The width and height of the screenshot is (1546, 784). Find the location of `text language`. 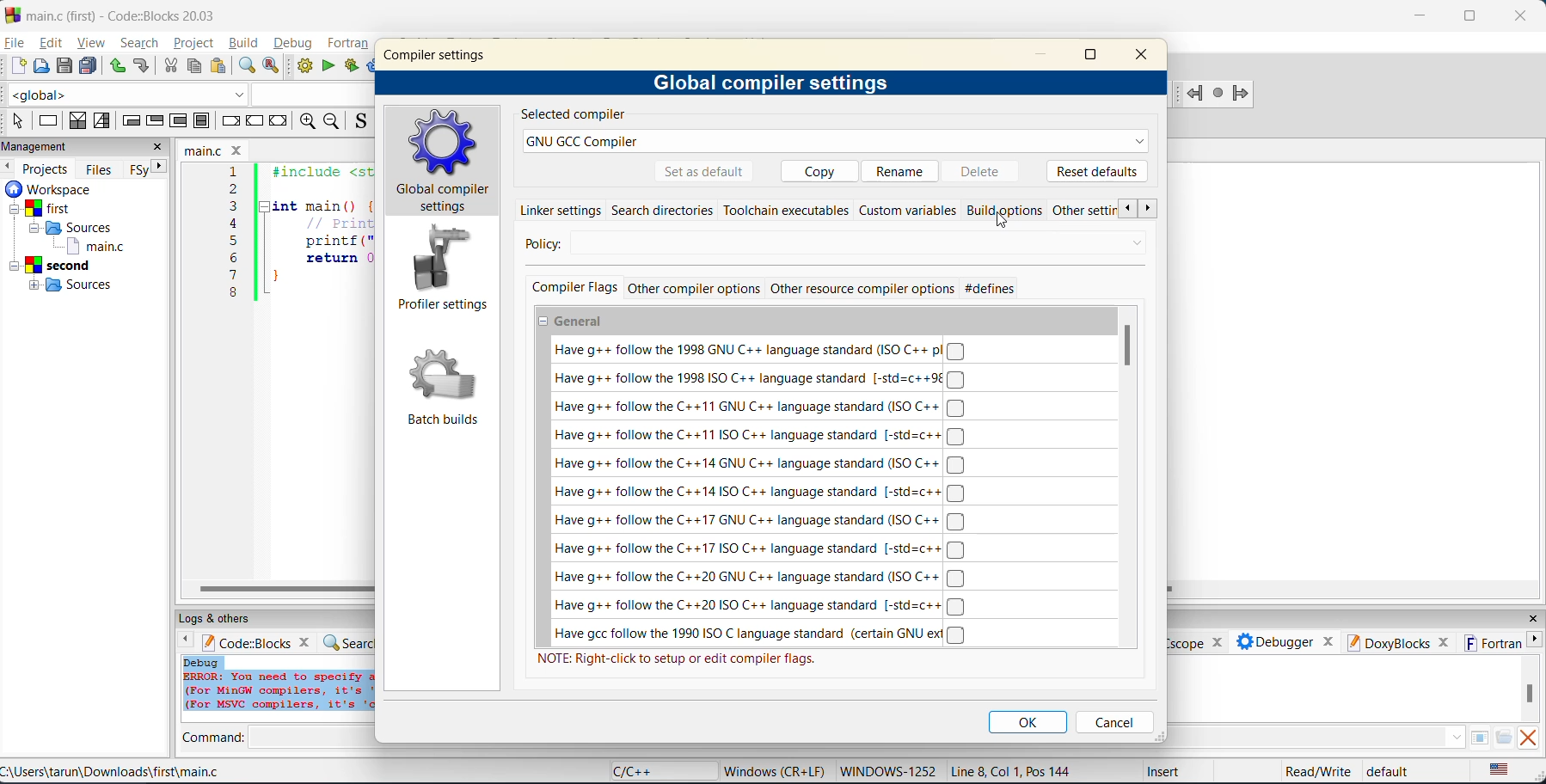

text language is located at coordinates (1500, 770).